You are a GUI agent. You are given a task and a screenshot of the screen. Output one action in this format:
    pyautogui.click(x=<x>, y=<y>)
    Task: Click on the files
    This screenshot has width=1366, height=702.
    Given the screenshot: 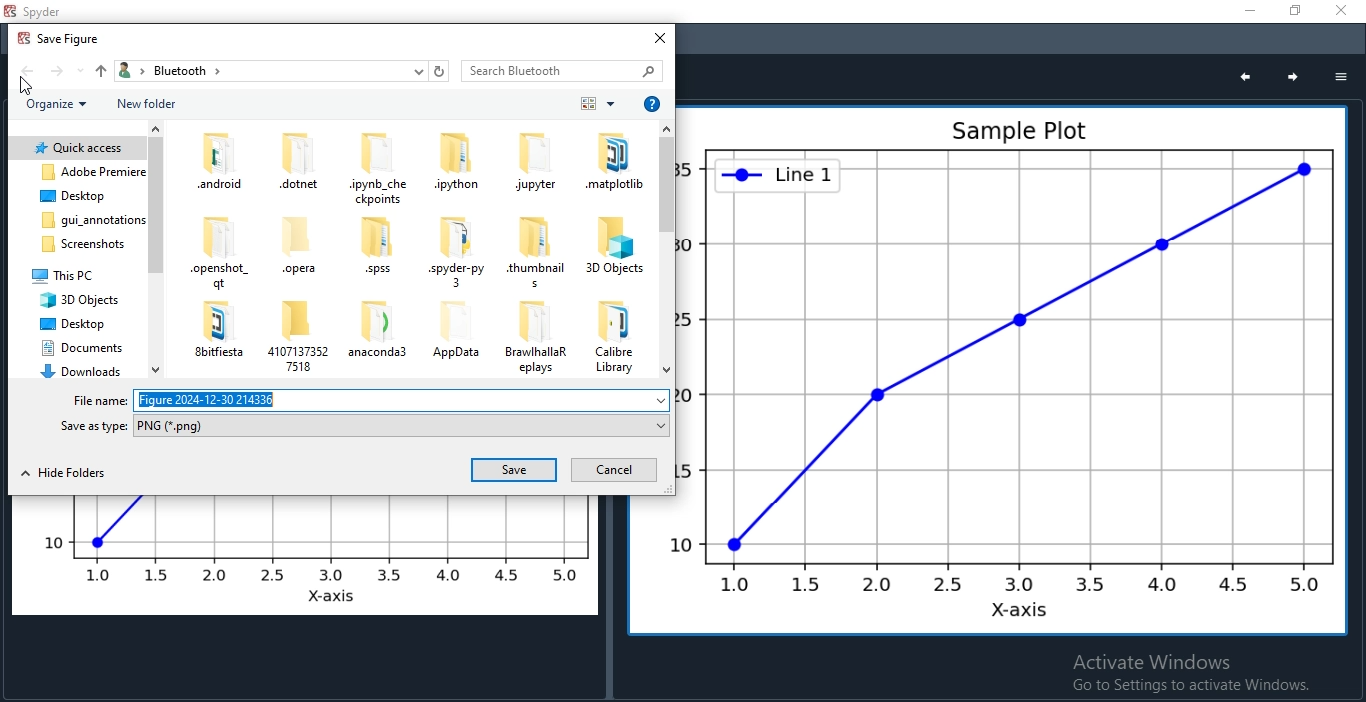 What is the action you would take?
    pyautogui.click(x=537, y=252)
    